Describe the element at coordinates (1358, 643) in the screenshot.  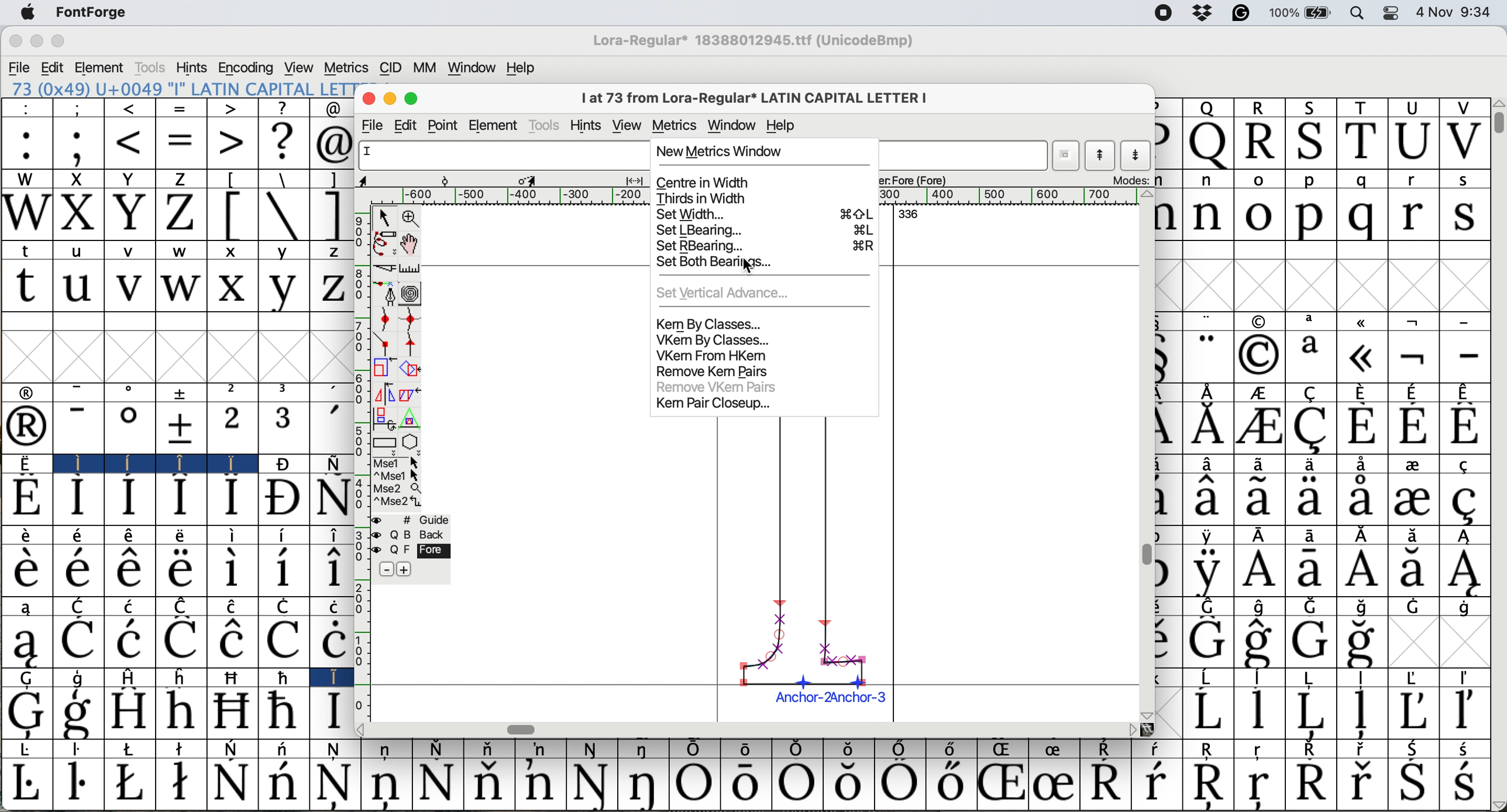
I see `Symbol` at that location.